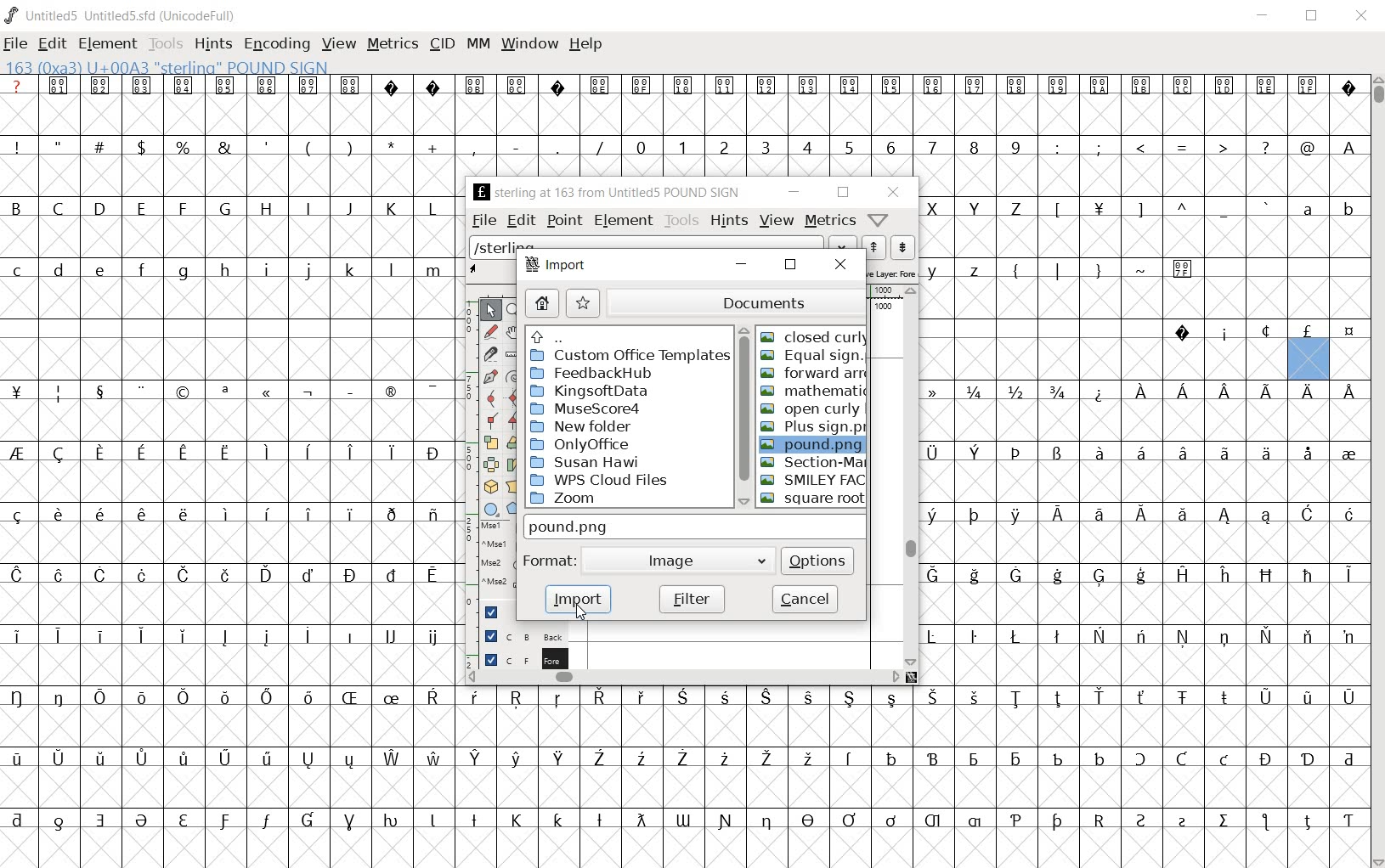 Image resolution: width=1385 pixels, height=868 pixels. Describe the element at coordinates (1347, 635) in the screenshot. I see `Symbol` at that location.